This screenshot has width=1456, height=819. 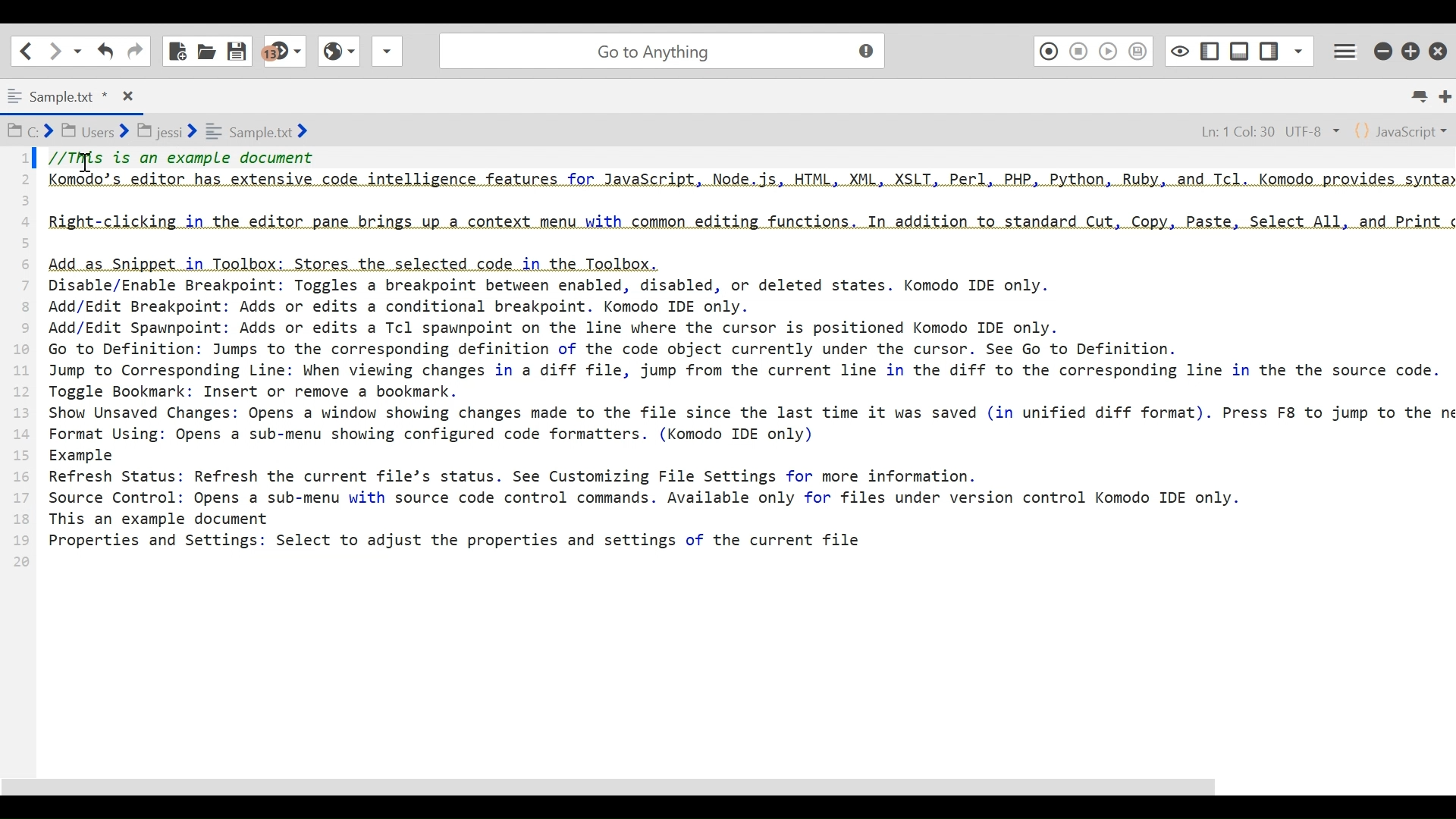 What do you see at coordinates (1108, 50) in the screenshot?
I see `Play Last Macro` at bounding box center [1108, 50].